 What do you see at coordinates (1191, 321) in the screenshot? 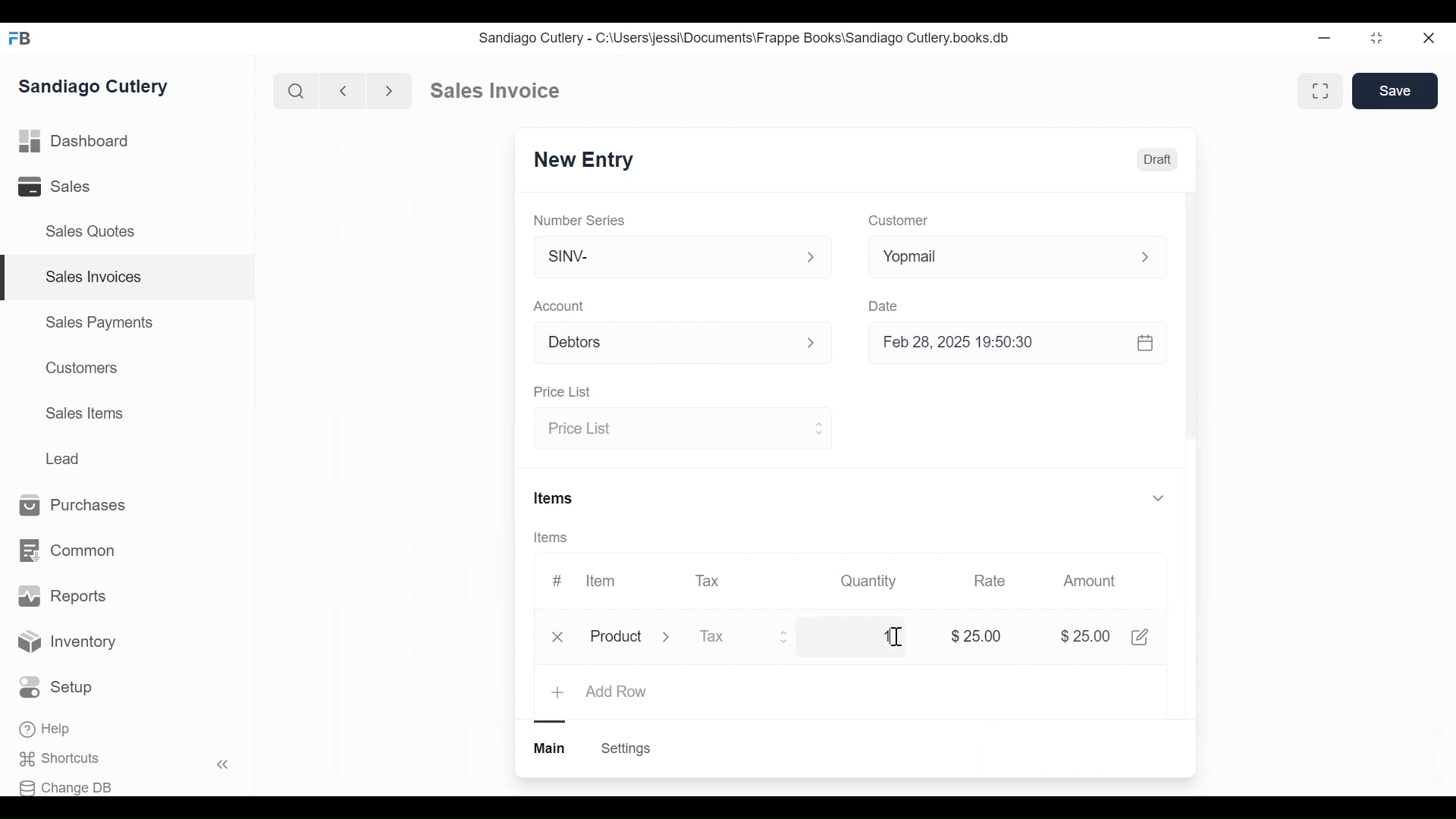
I see `scrollbar` at bounding box center [1191, 321].